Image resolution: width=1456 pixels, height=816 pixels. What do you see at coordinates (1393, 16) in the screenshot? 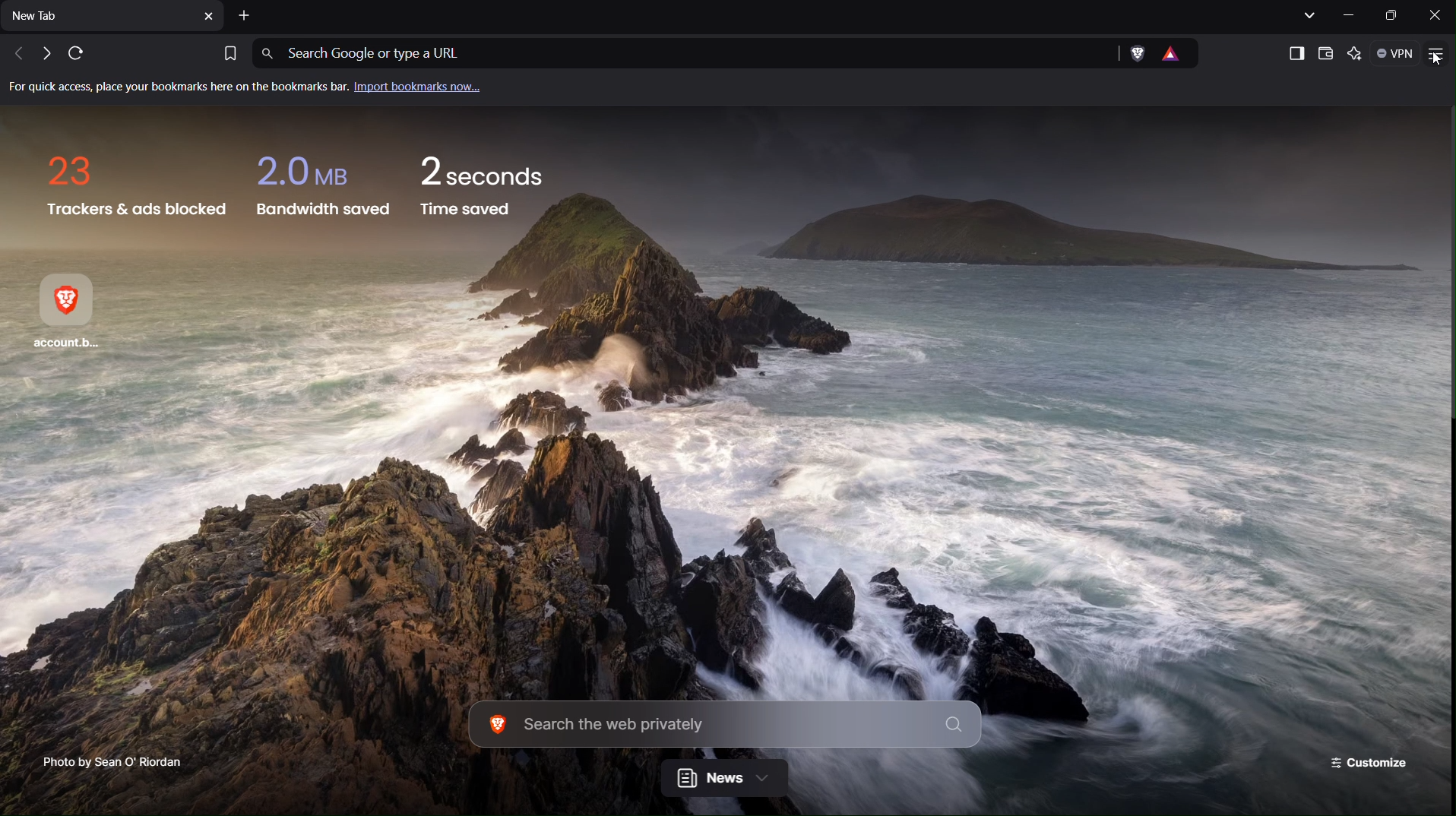
I see `Maximize` at bounding box center [1393, 16].